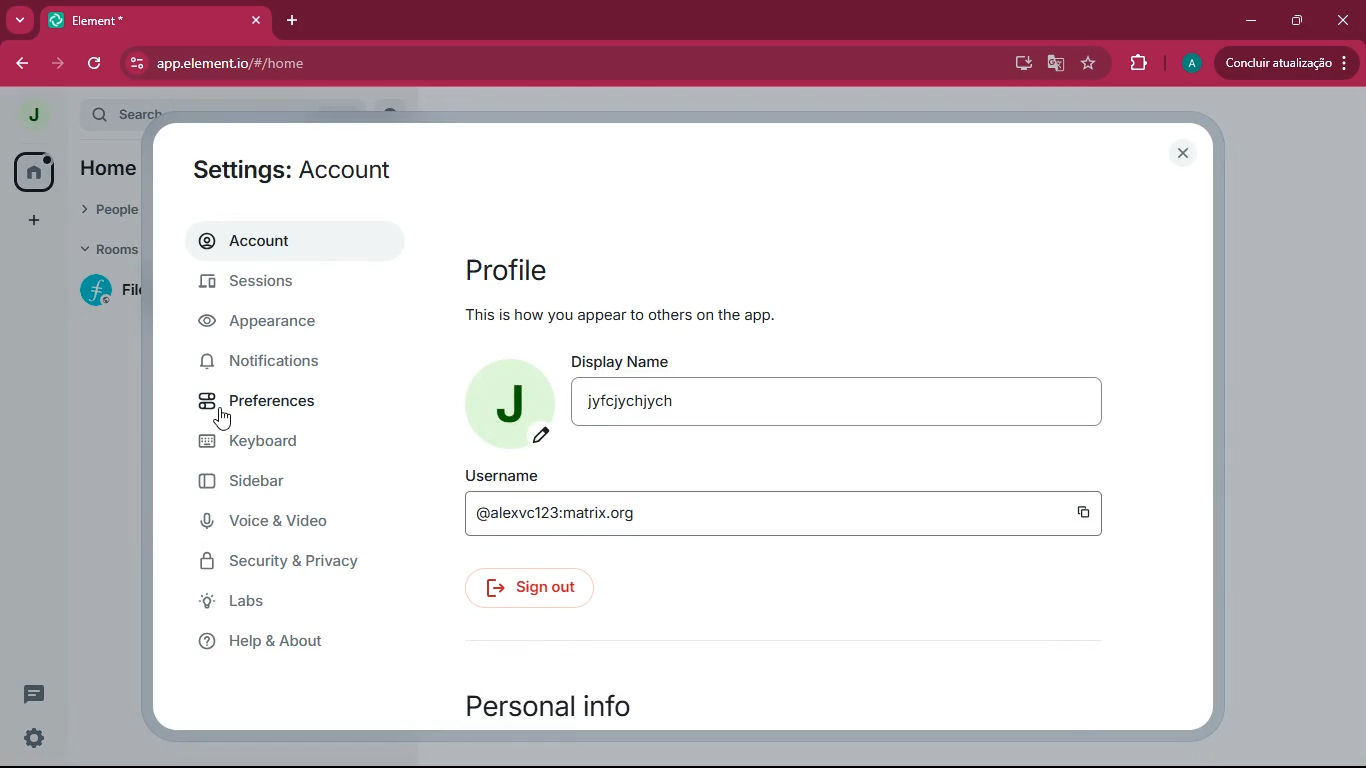 The height and width of the screenshot is (768, 1366). Describe the element at coordinates (1085, 511) in the screenshot. I see `copy` at that location.